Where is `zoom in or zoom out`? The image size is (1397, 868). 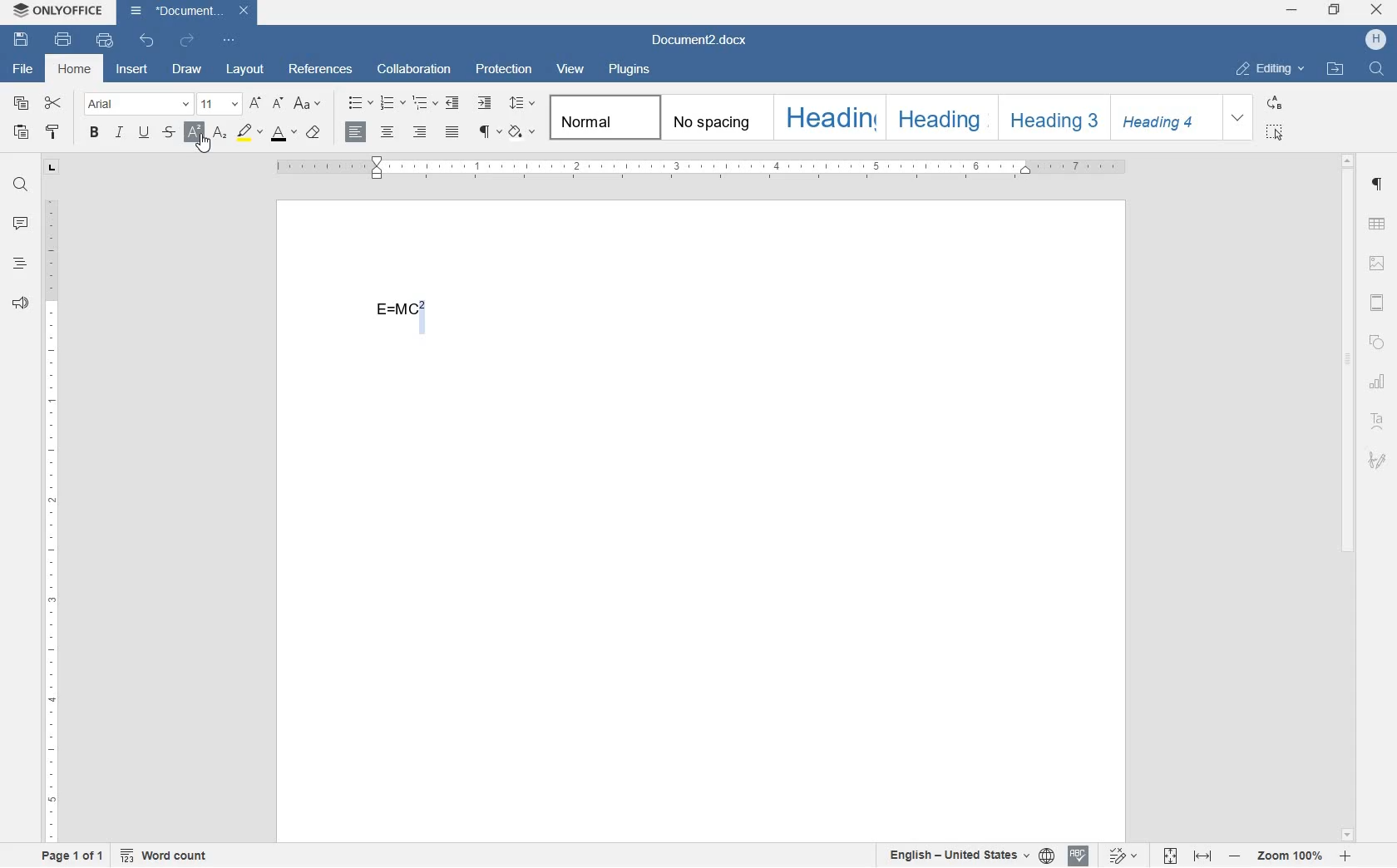 zoom in or zoom out is located at coordinates (1287, 857).